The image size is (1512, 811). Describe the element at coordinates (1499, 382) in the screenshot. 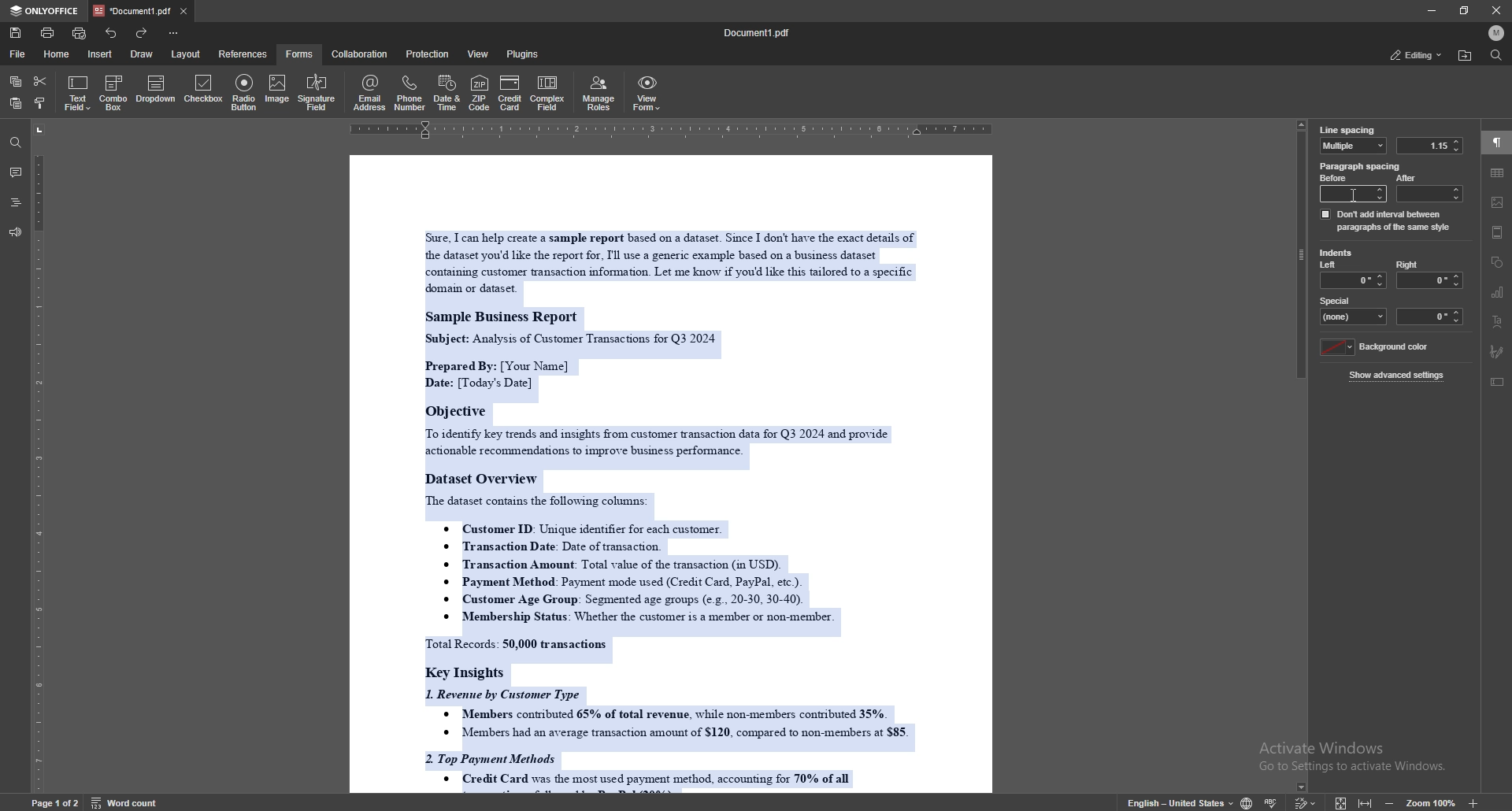

I see `text box` at that location.